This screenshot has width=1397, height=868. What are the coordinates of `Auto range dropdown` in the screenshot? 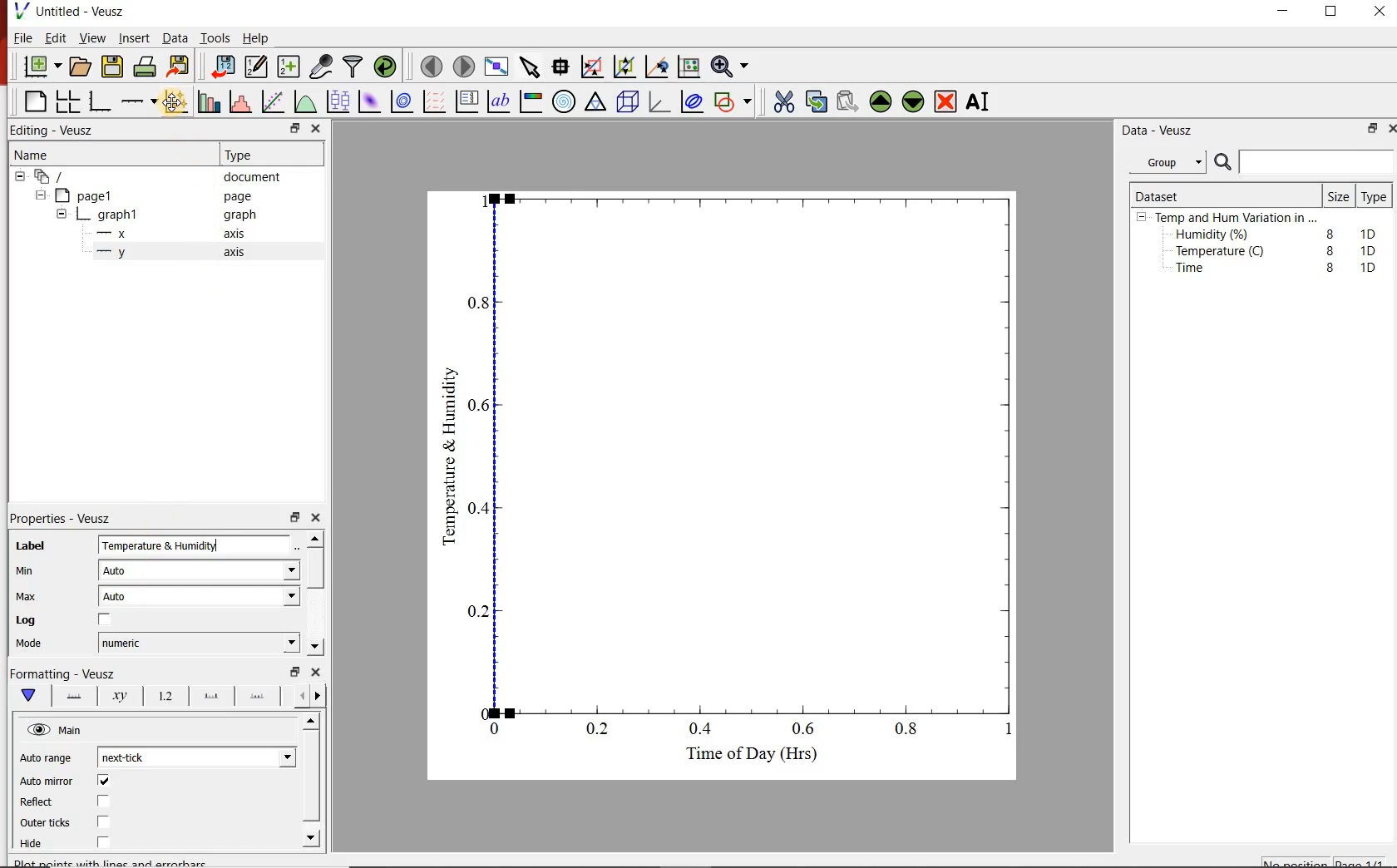 It's located at (262, 755).